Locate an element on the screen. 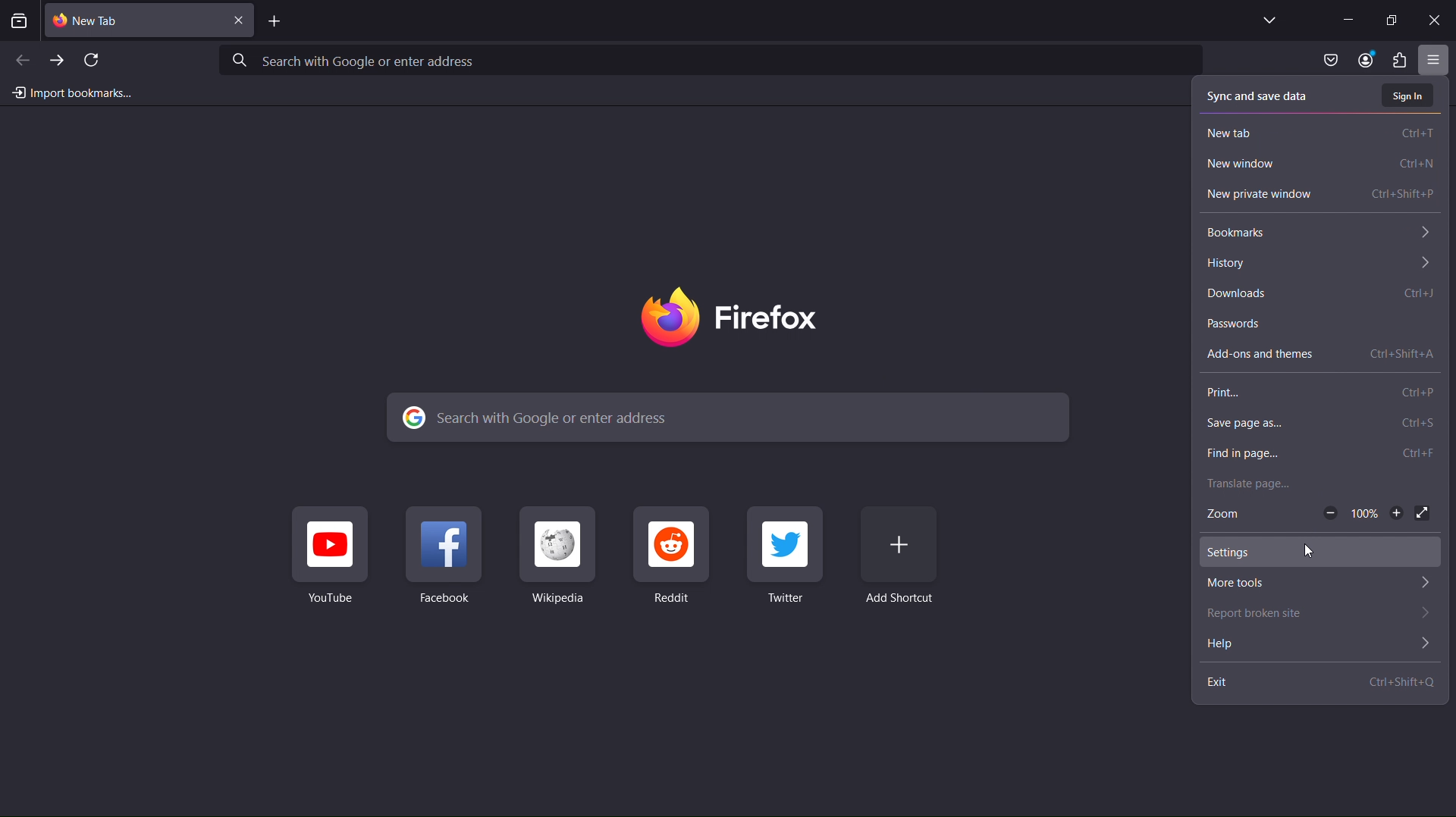  History is located at coordinates (1319, 264).